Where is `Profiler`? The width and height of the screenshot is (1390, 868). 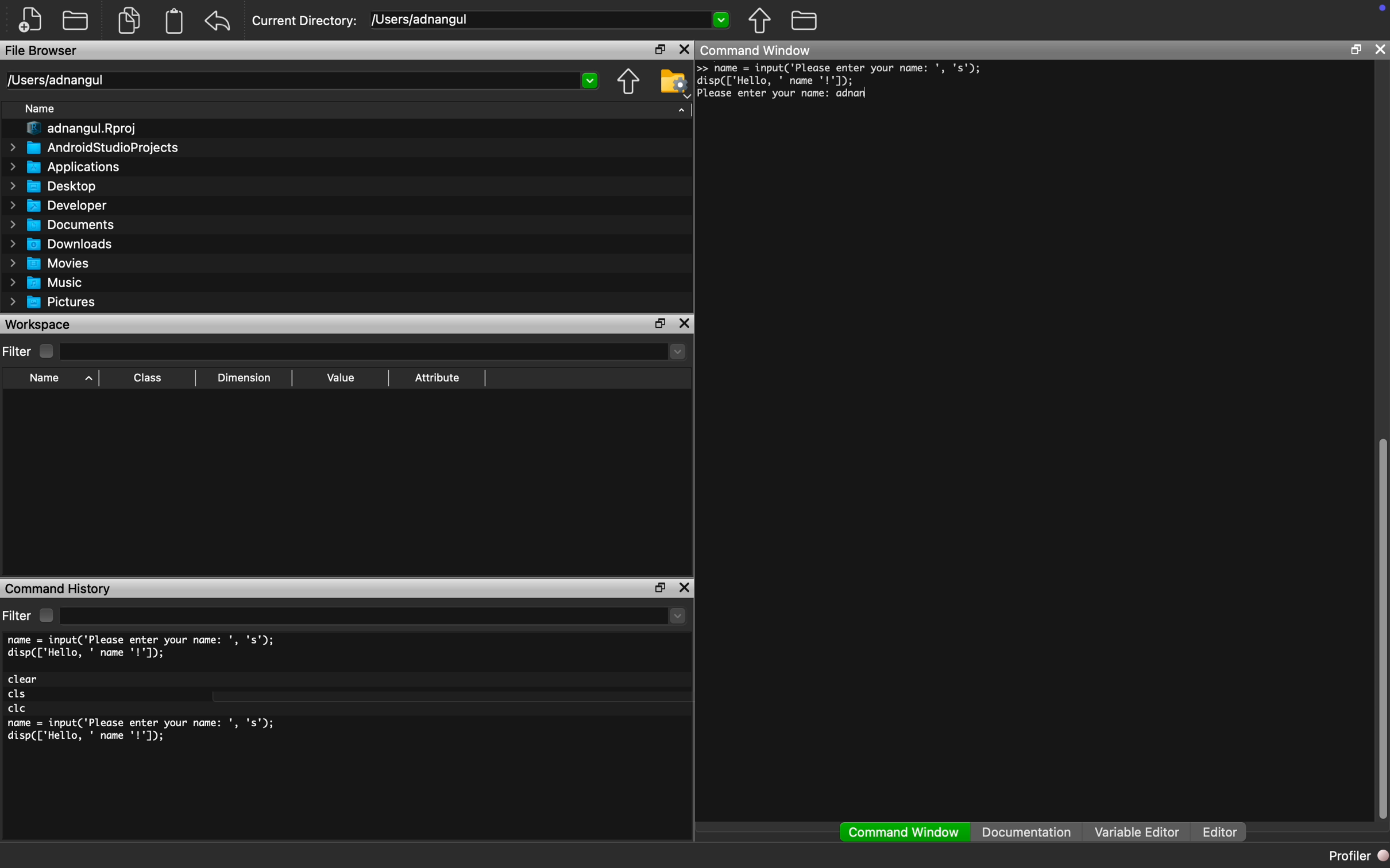
Profiler is located at coordinates (1357, 855).